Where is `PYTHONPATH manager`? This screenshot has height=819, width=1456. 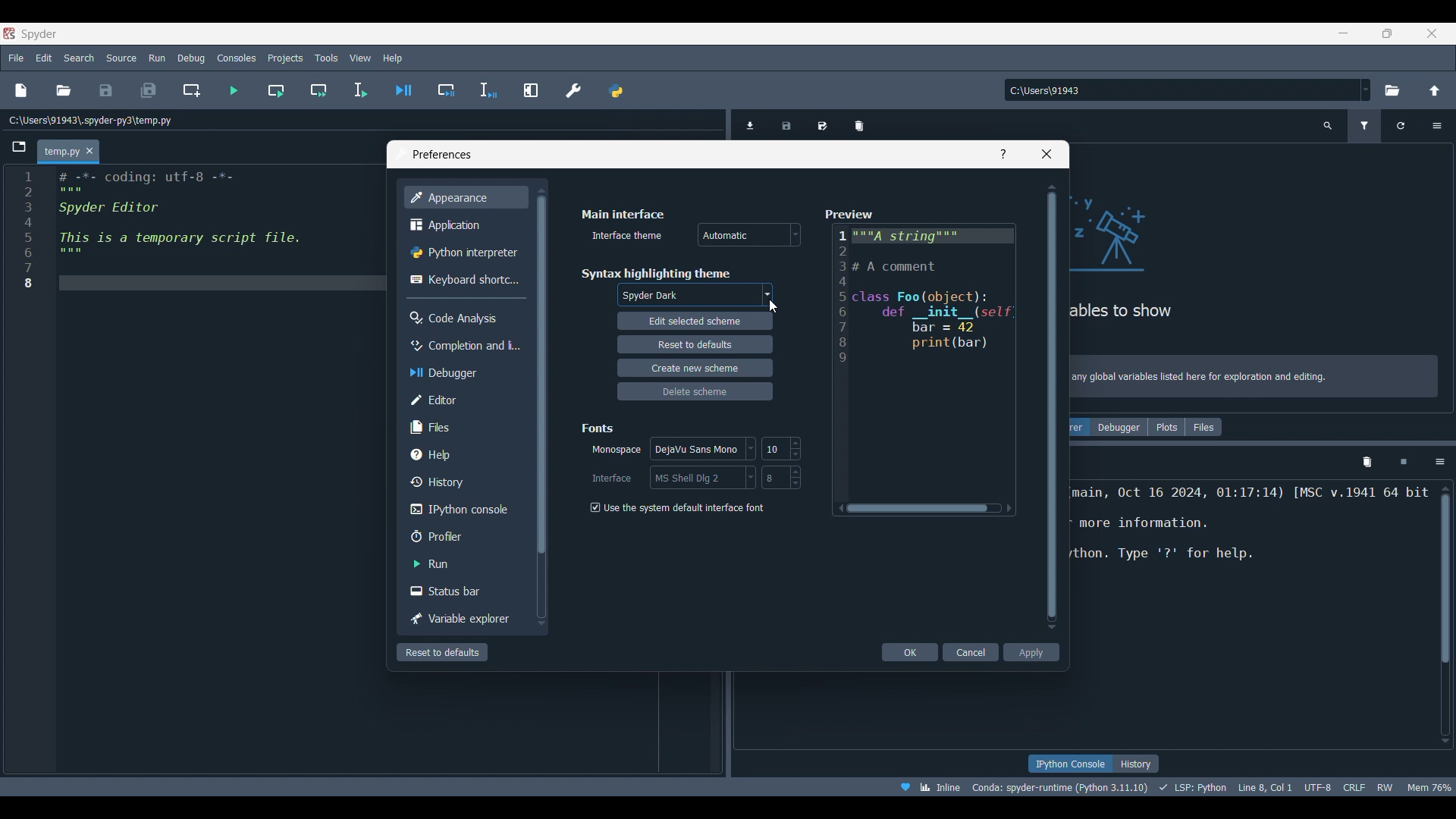
PYTHONPATH manager is located at coordinates (615, 88).